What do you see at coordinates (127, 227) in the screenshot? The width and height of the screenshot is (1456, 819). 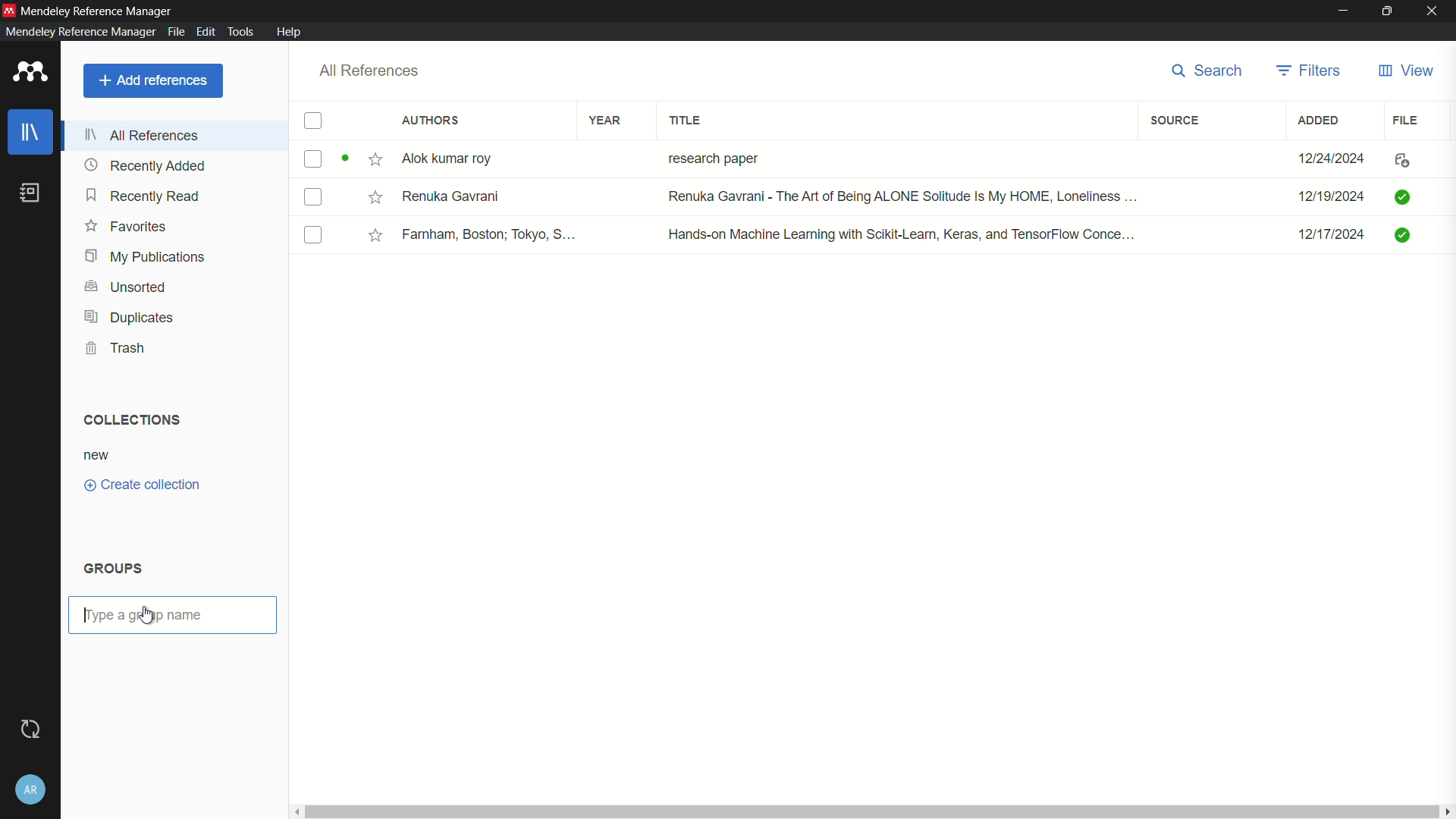 I see `favorites` at bounding box center [127, 227].